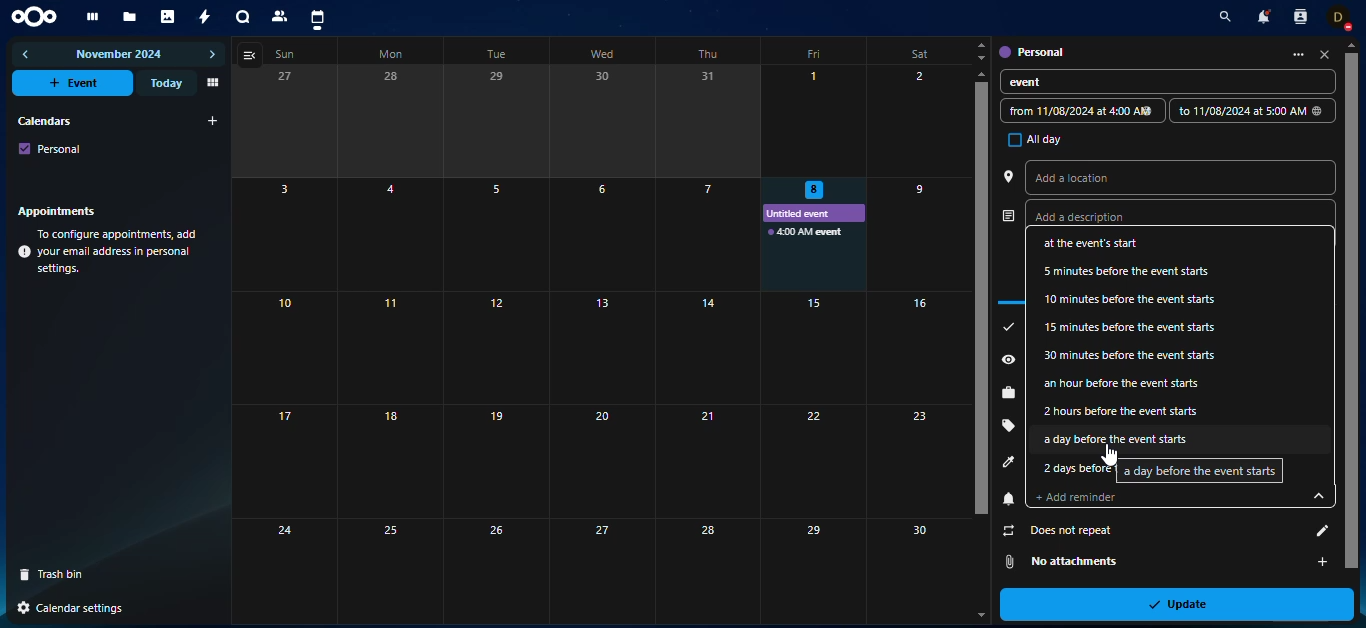 Image resolution: width=1366 pixels, height=628 pixels. I want to click on next, so click(212, 55).